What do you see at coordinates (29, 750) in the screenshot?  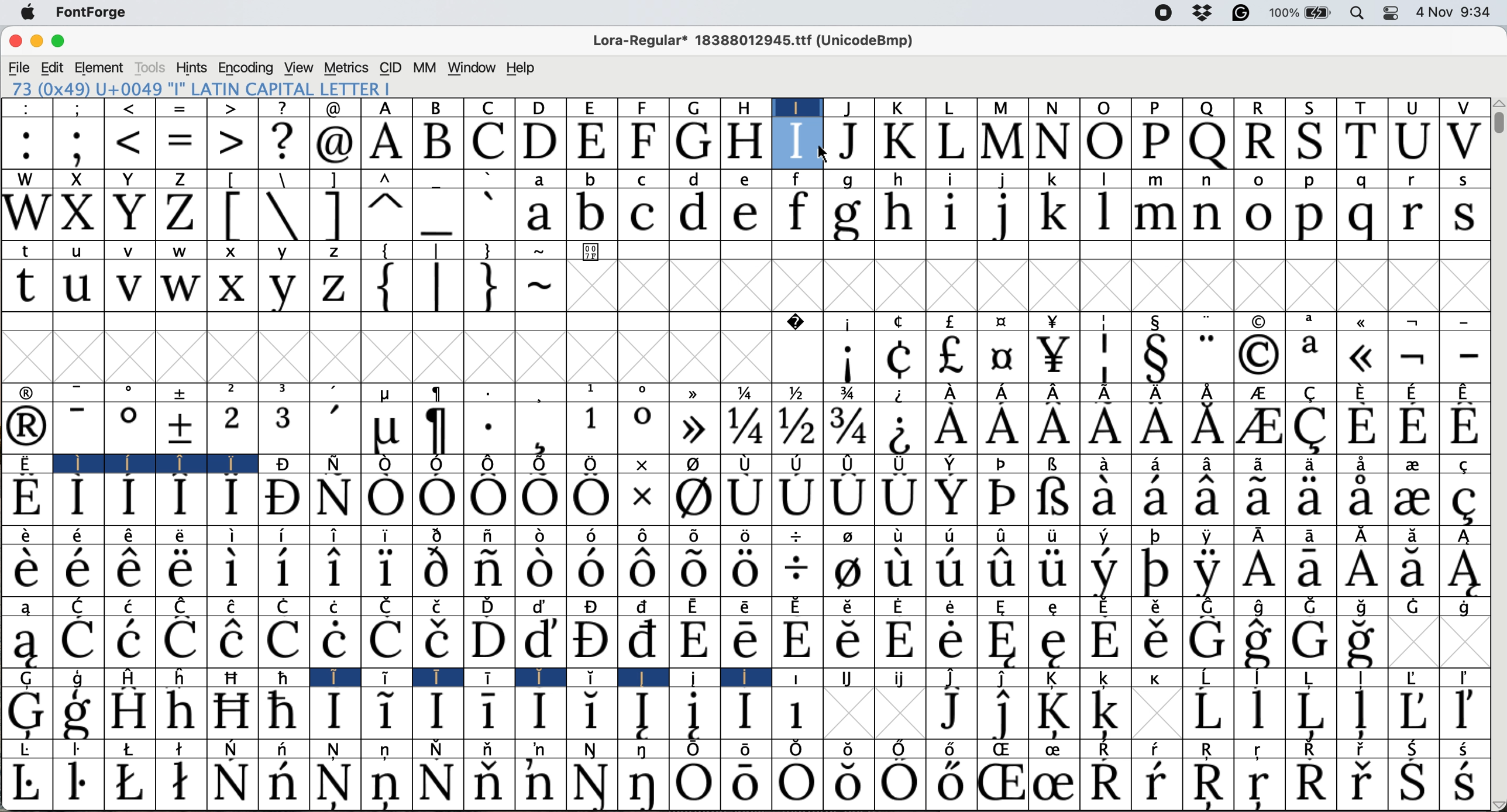 I see `Symbol` at bounding box center [29, 750].